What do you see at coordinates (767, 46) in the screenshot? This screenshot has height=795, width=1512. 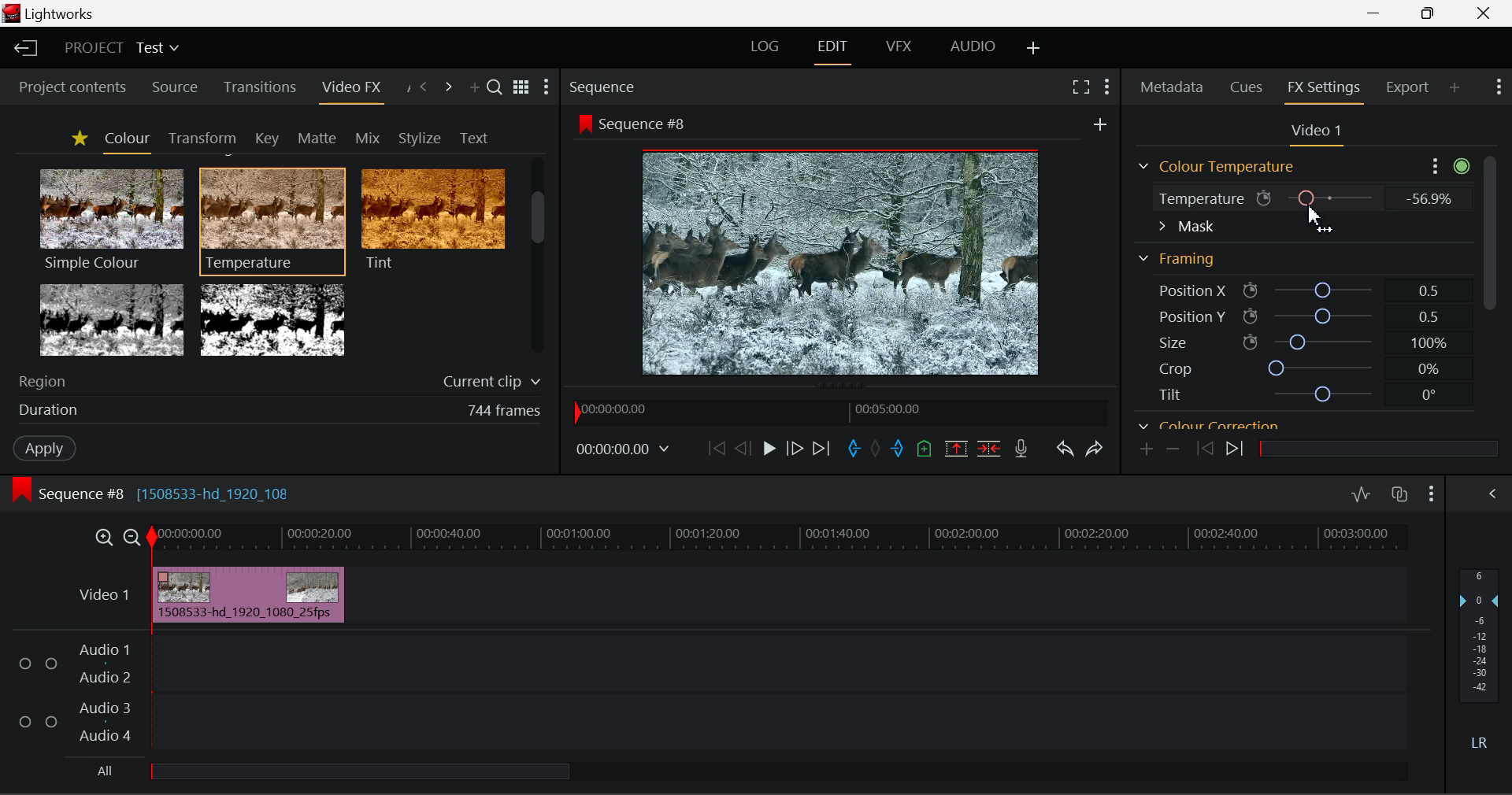 I see `LOG Layout` at bounding box center [767, 46].